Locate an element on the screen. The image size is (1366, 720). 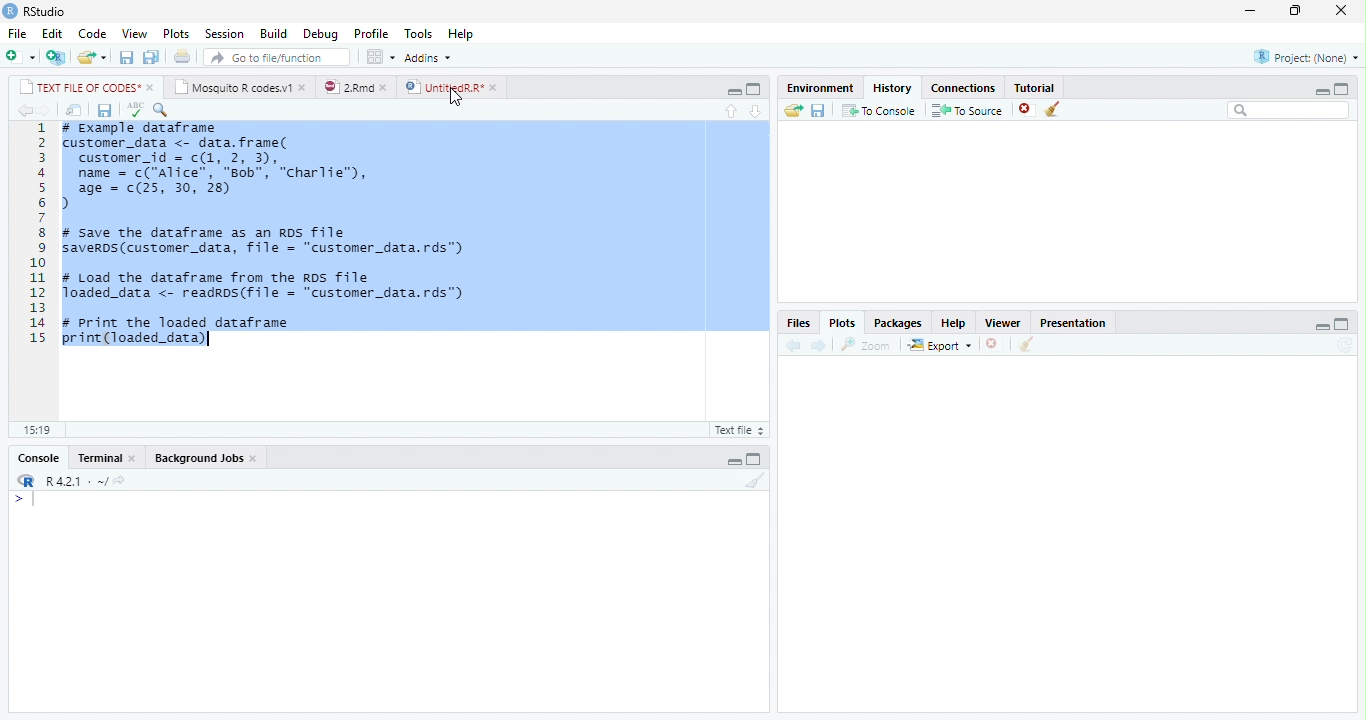
minimize is located at coordinates (734, 462).